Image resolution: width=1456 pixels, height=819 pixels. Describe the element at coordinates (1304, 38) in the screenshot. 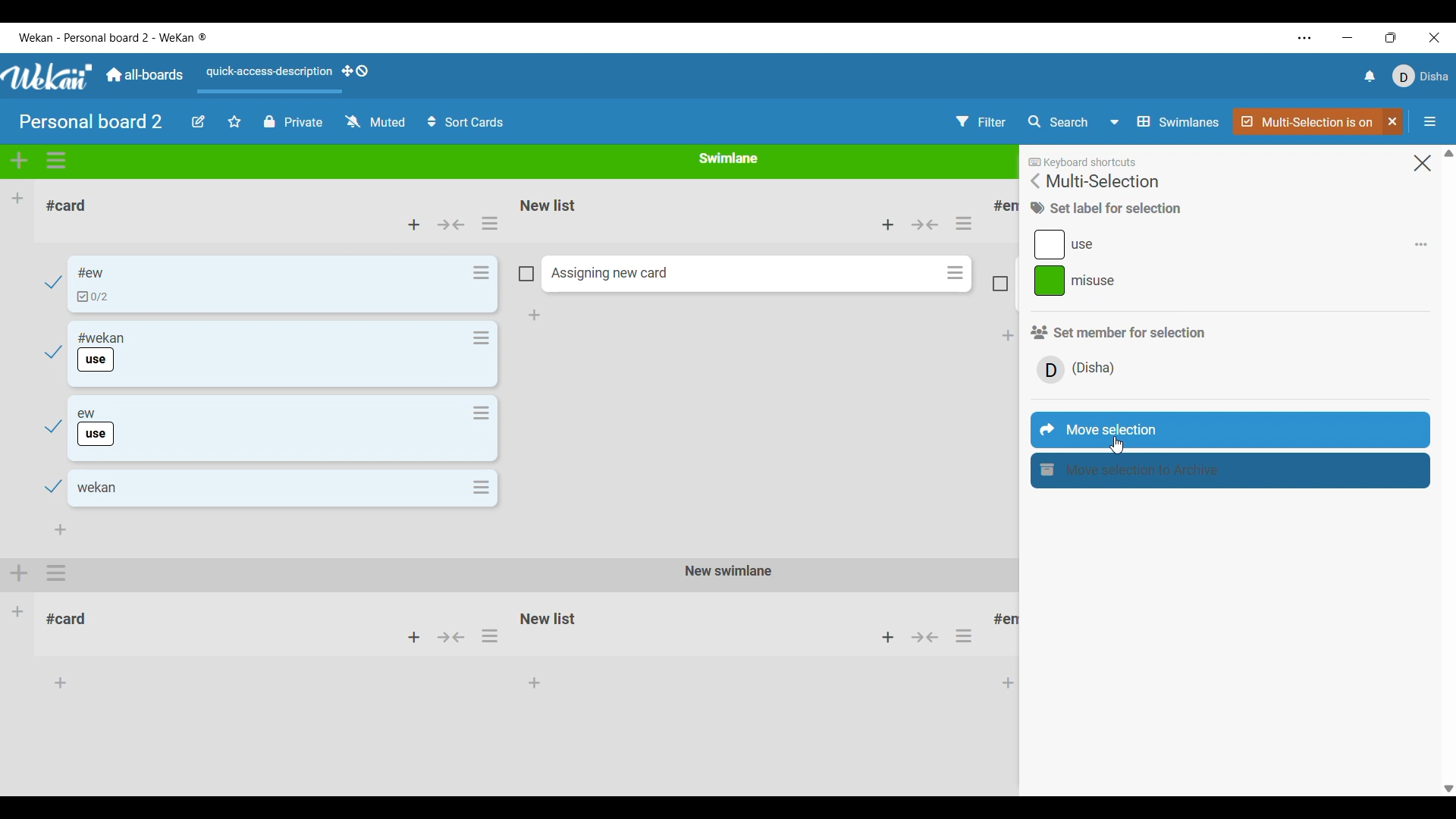

I see `Settings and more` at that location.